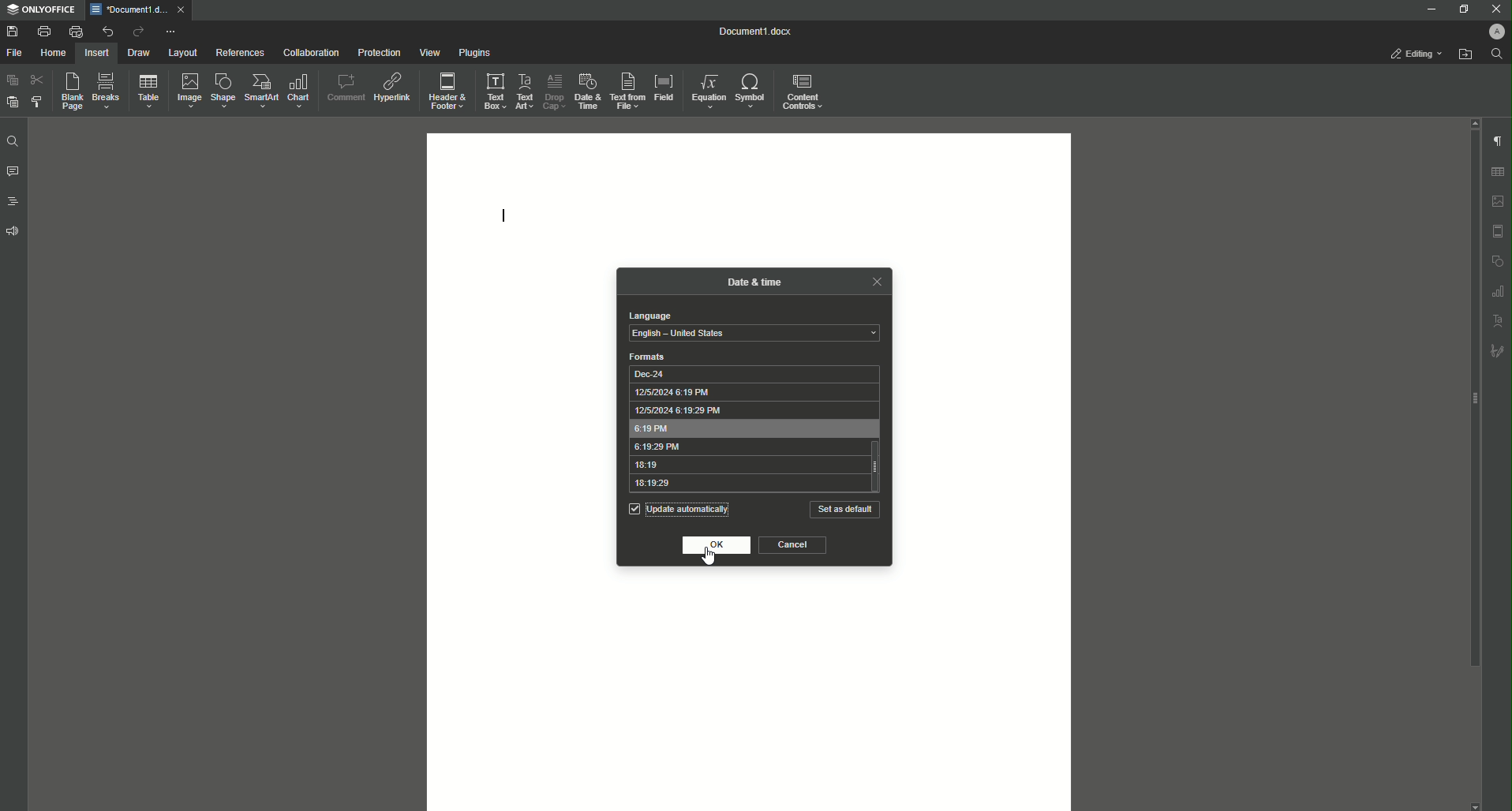 The width and height of the screenshot is (1512, 811). Describe the element at coordinates (447, 88) in the screenshot. I see `Header and Footer` at that location.